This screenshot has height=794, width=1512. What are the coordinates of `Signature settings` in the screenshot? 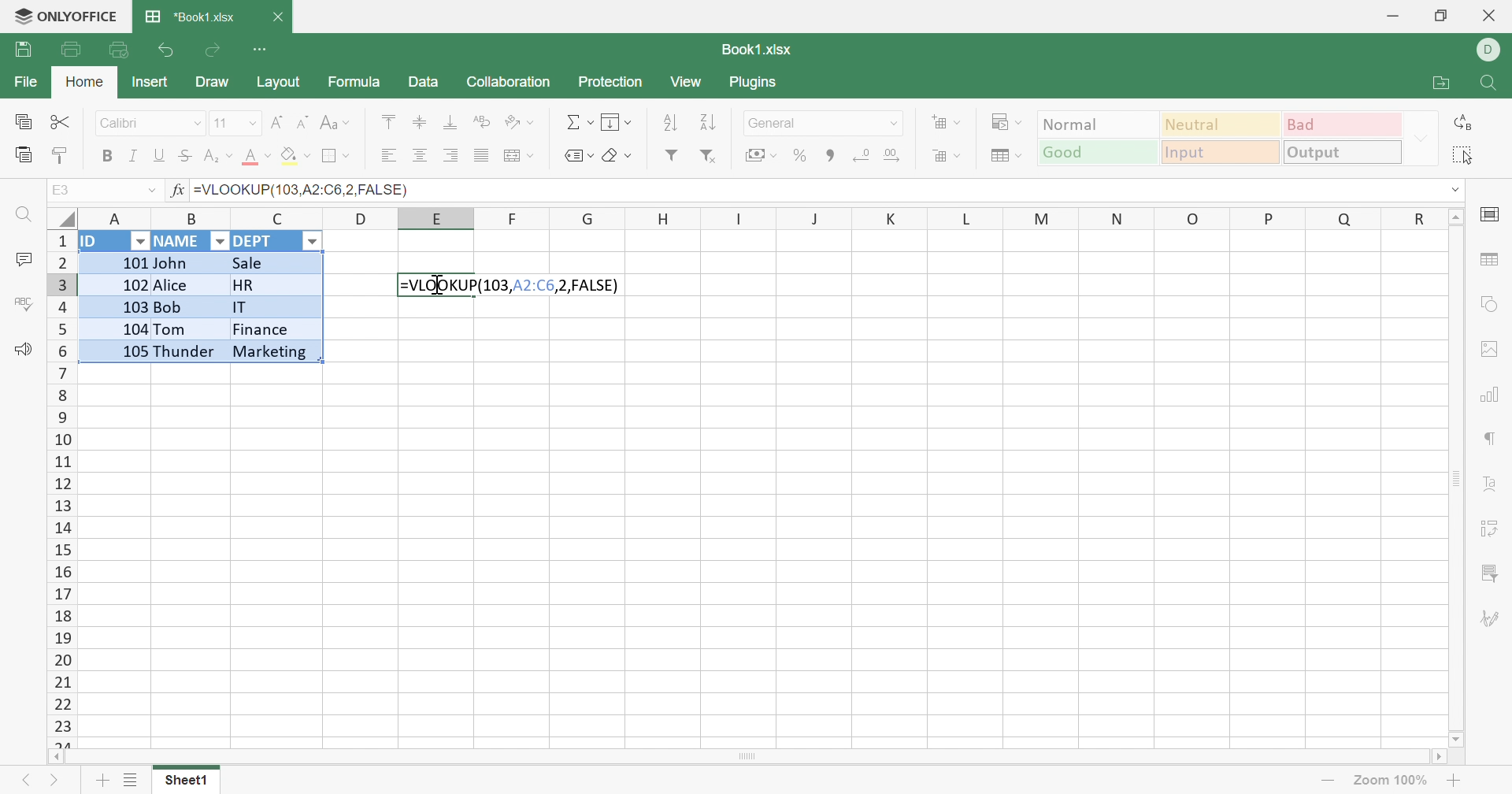 It's located at (1494, 621).